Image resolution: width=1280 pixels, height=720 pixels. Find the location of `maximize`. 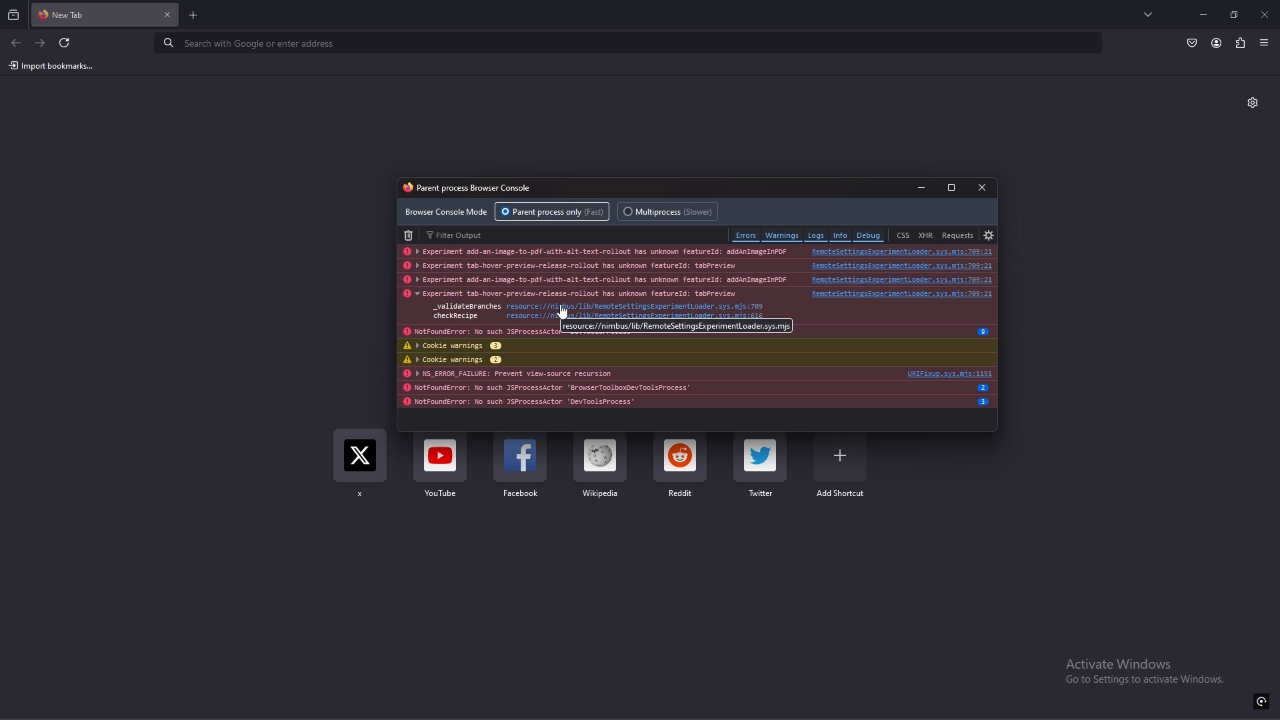

maximize is located at coordinates (952, 188).